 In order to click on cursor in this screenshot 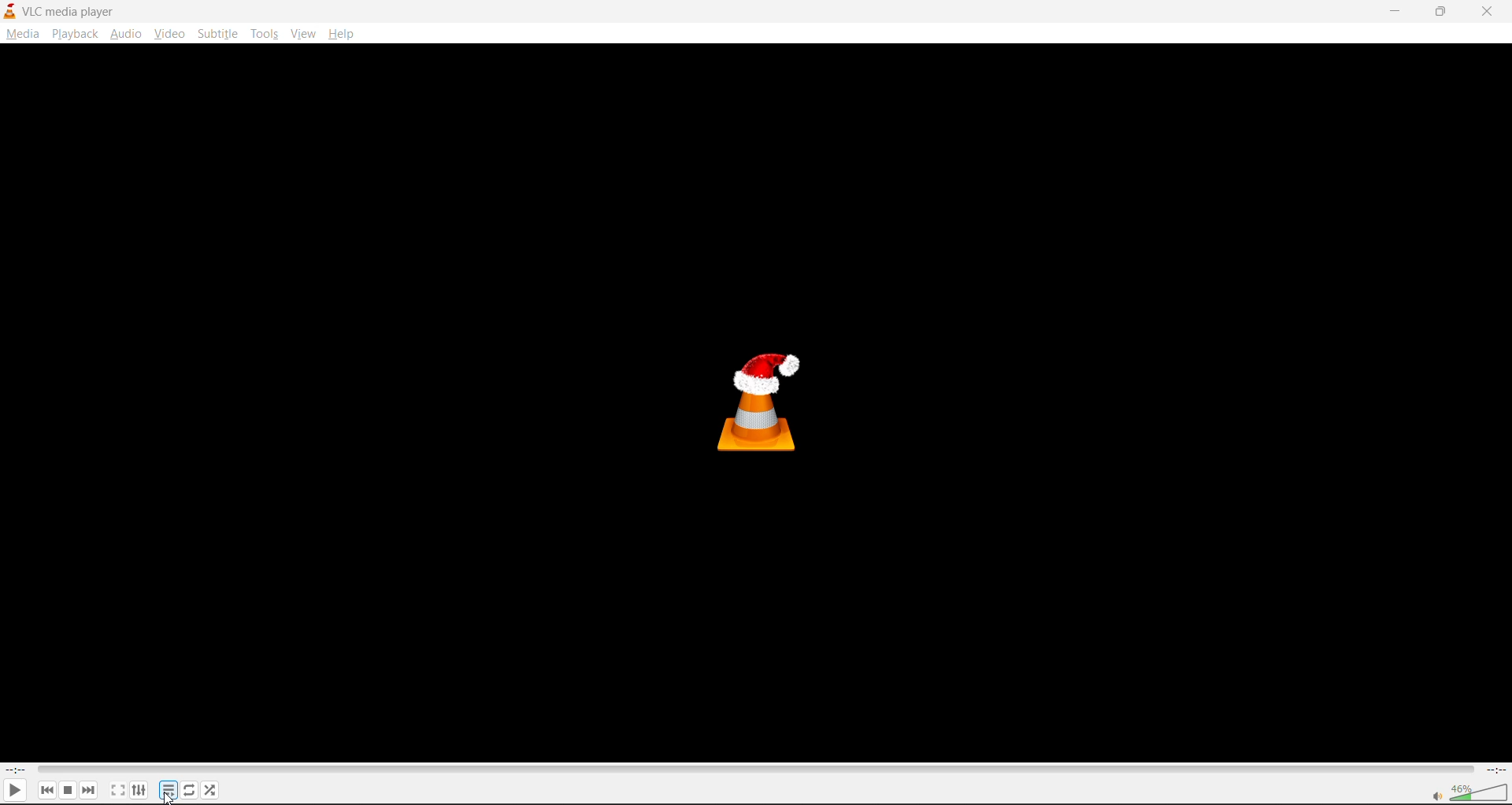, I will do `click(169, 799)`.